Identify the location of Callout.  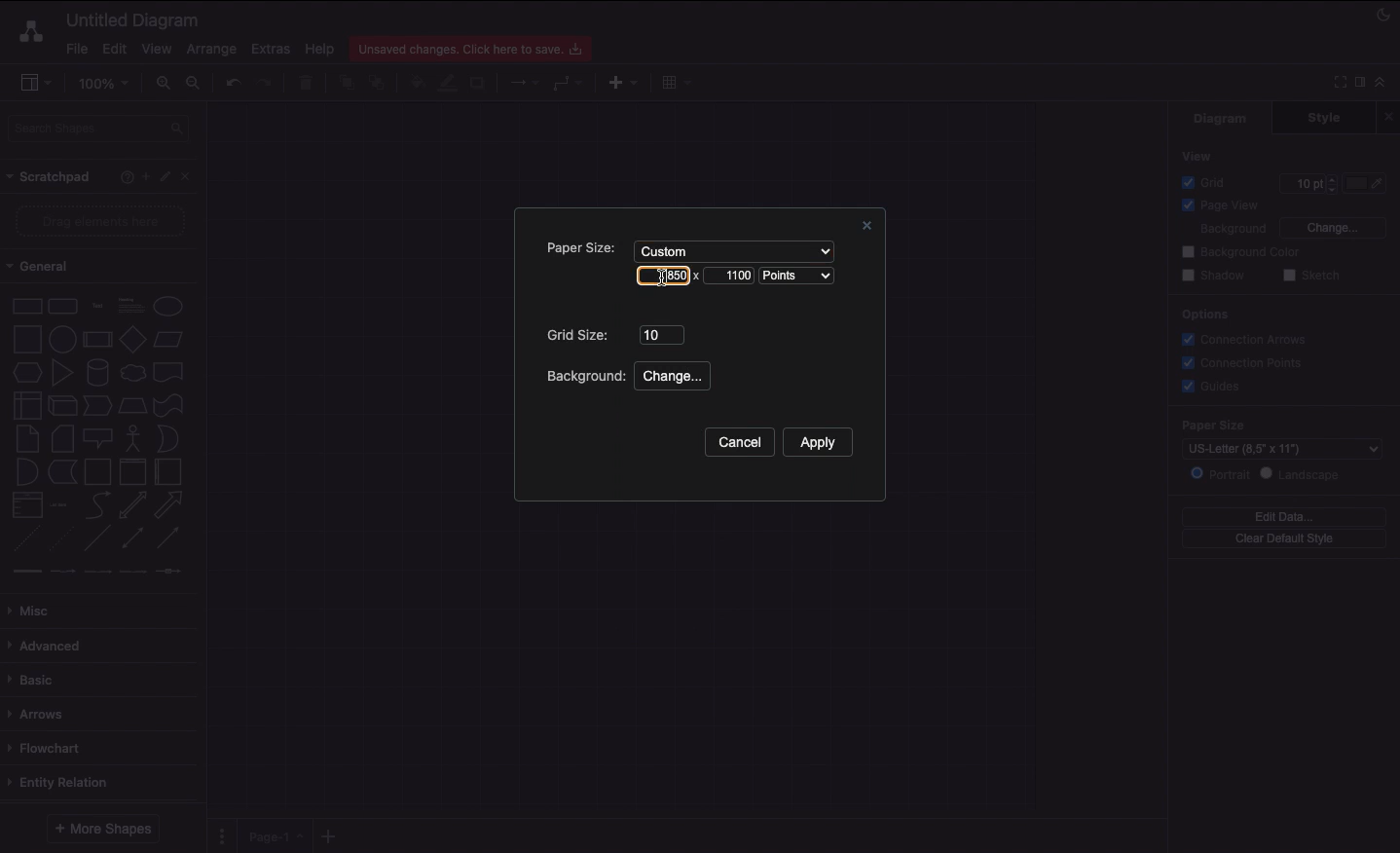
(99, 438).